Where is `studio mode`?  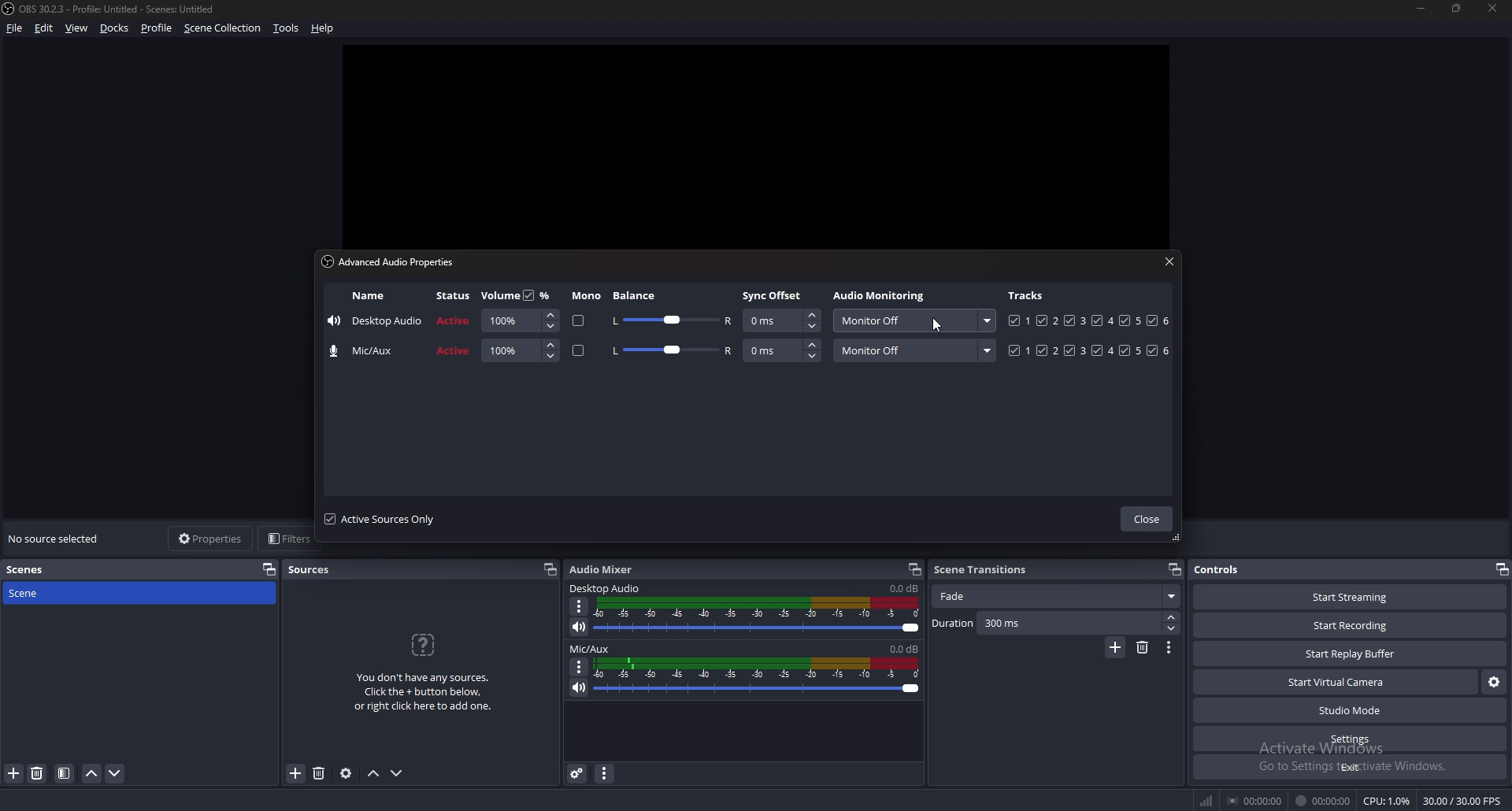
studio mode is located at coordinates (1349, 711).